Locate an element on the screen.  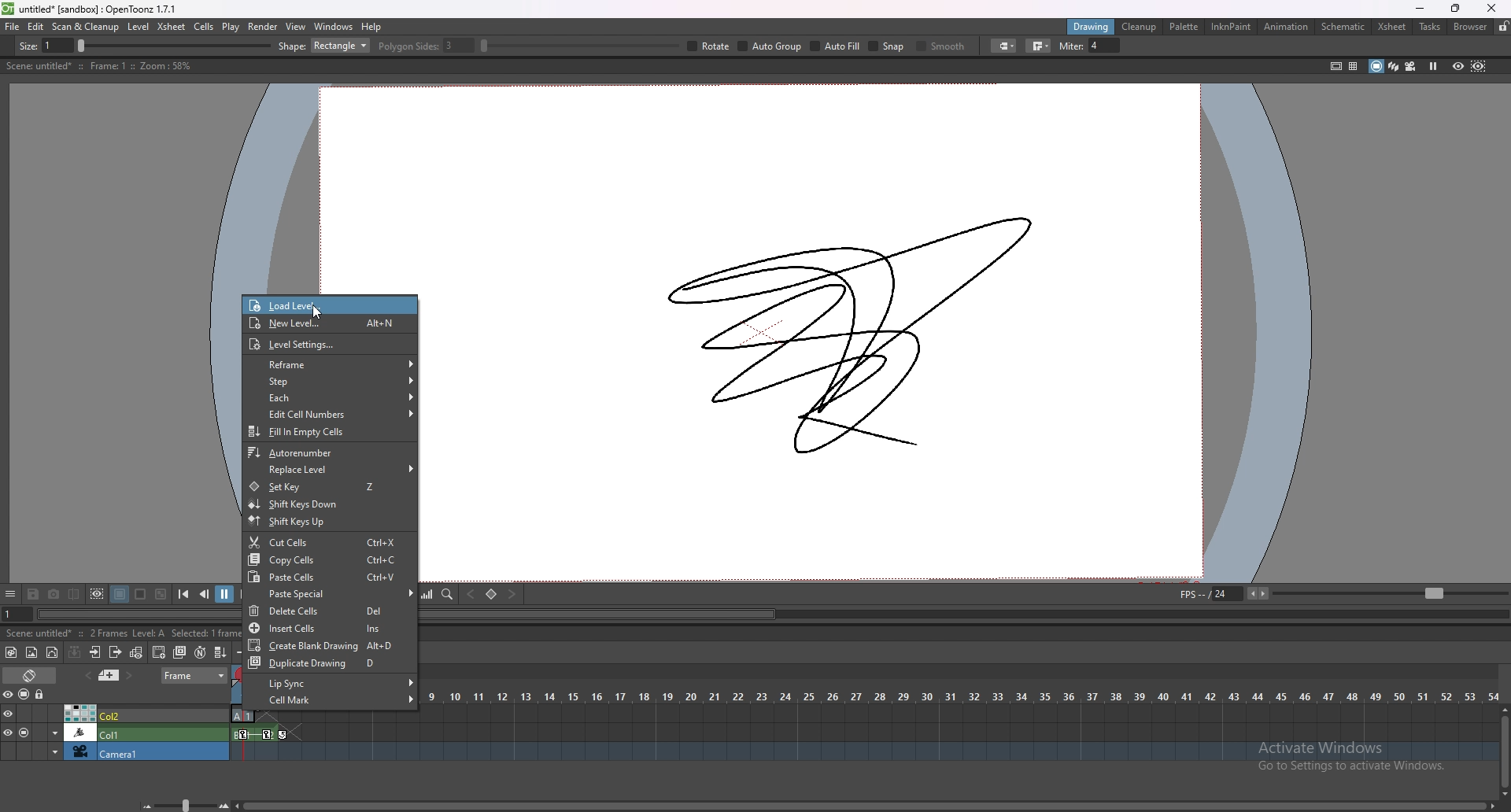
time scale is located at coordinates (959, 696).